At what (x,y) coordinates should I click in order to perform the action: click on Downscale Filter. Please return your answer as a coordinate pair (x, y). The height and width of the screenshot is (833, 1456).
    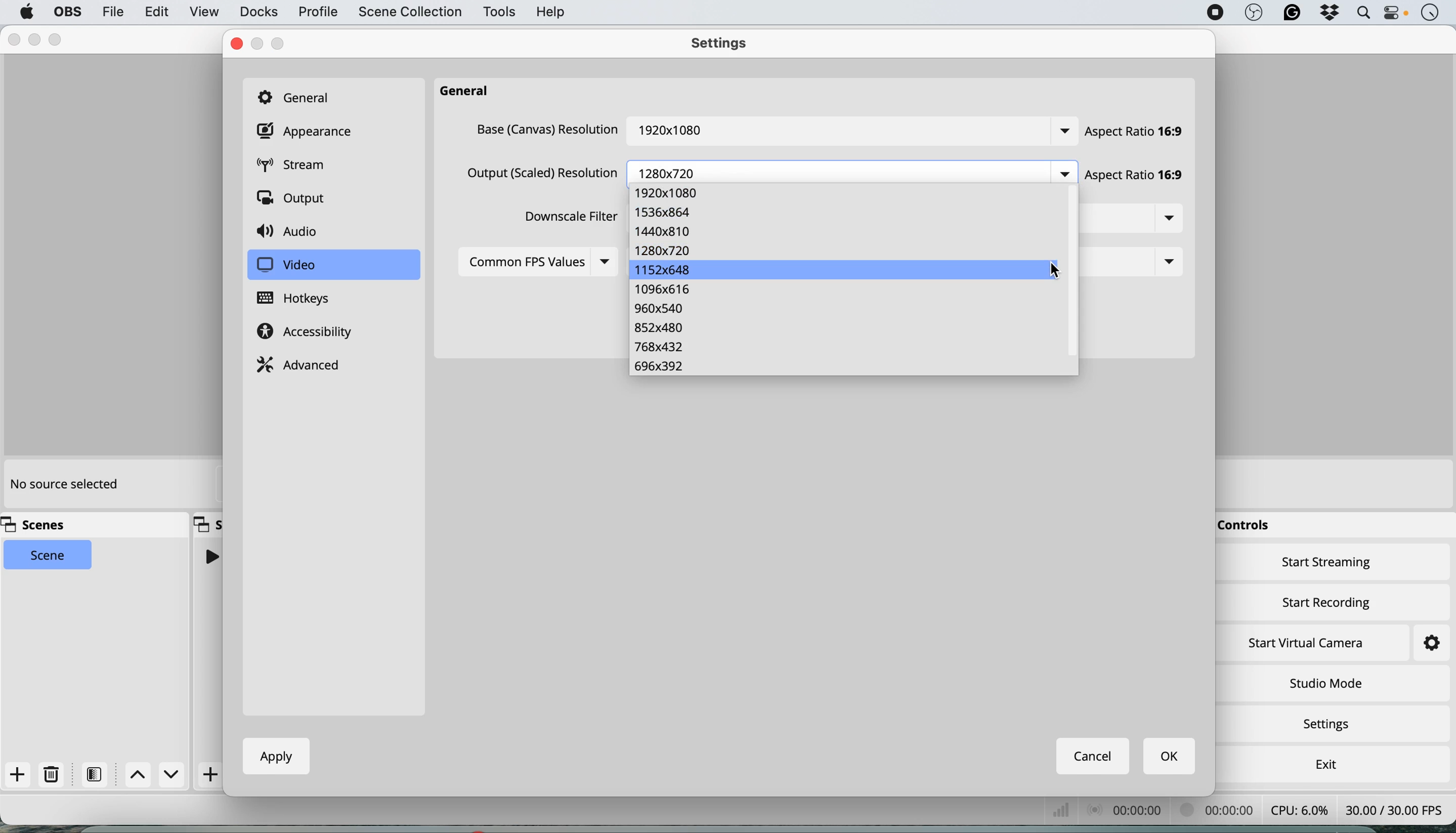
    Looking at the image, I should click on (566, 218).